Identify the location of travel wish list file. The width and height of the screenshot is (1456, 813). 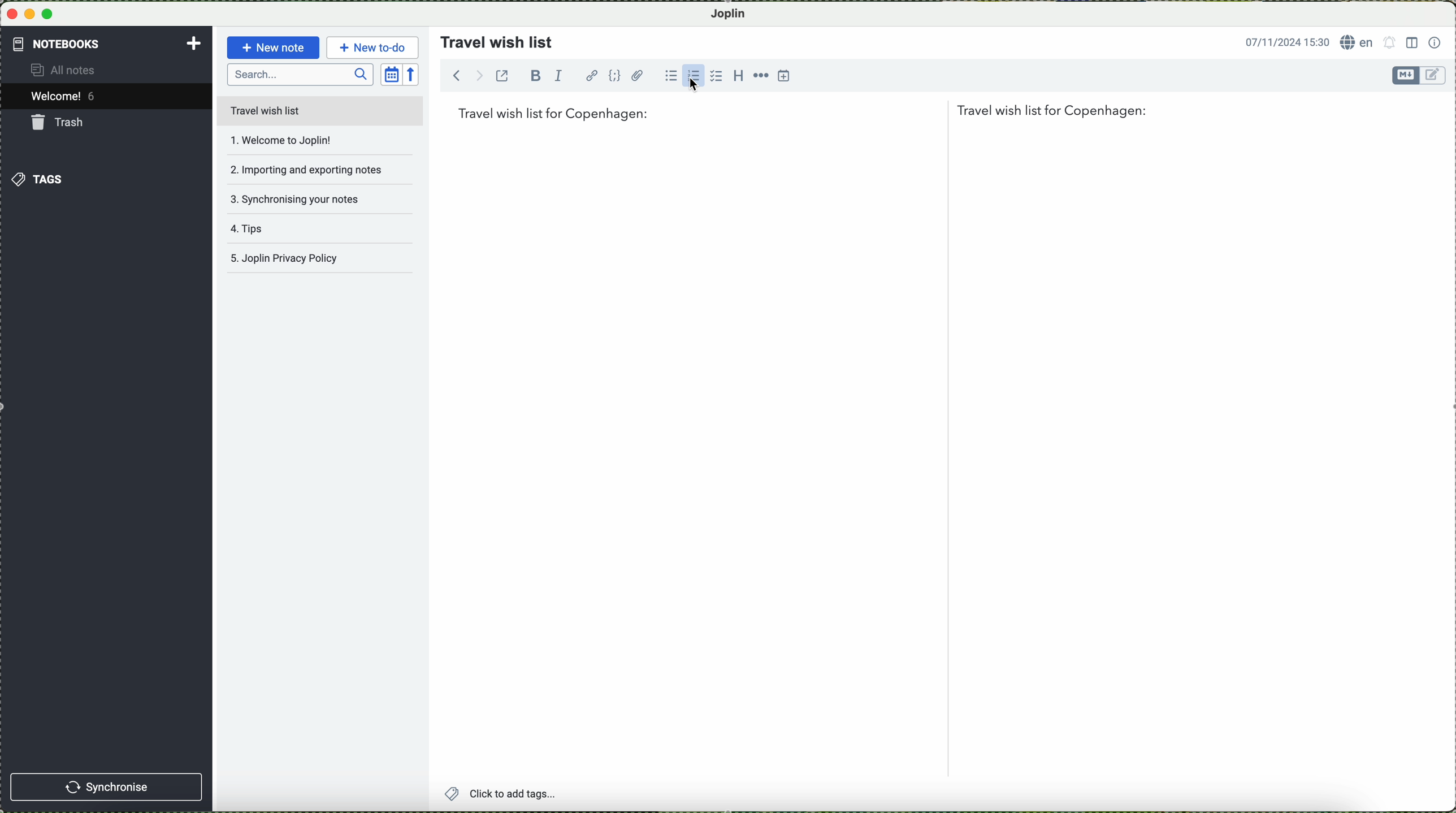
(319, 110).